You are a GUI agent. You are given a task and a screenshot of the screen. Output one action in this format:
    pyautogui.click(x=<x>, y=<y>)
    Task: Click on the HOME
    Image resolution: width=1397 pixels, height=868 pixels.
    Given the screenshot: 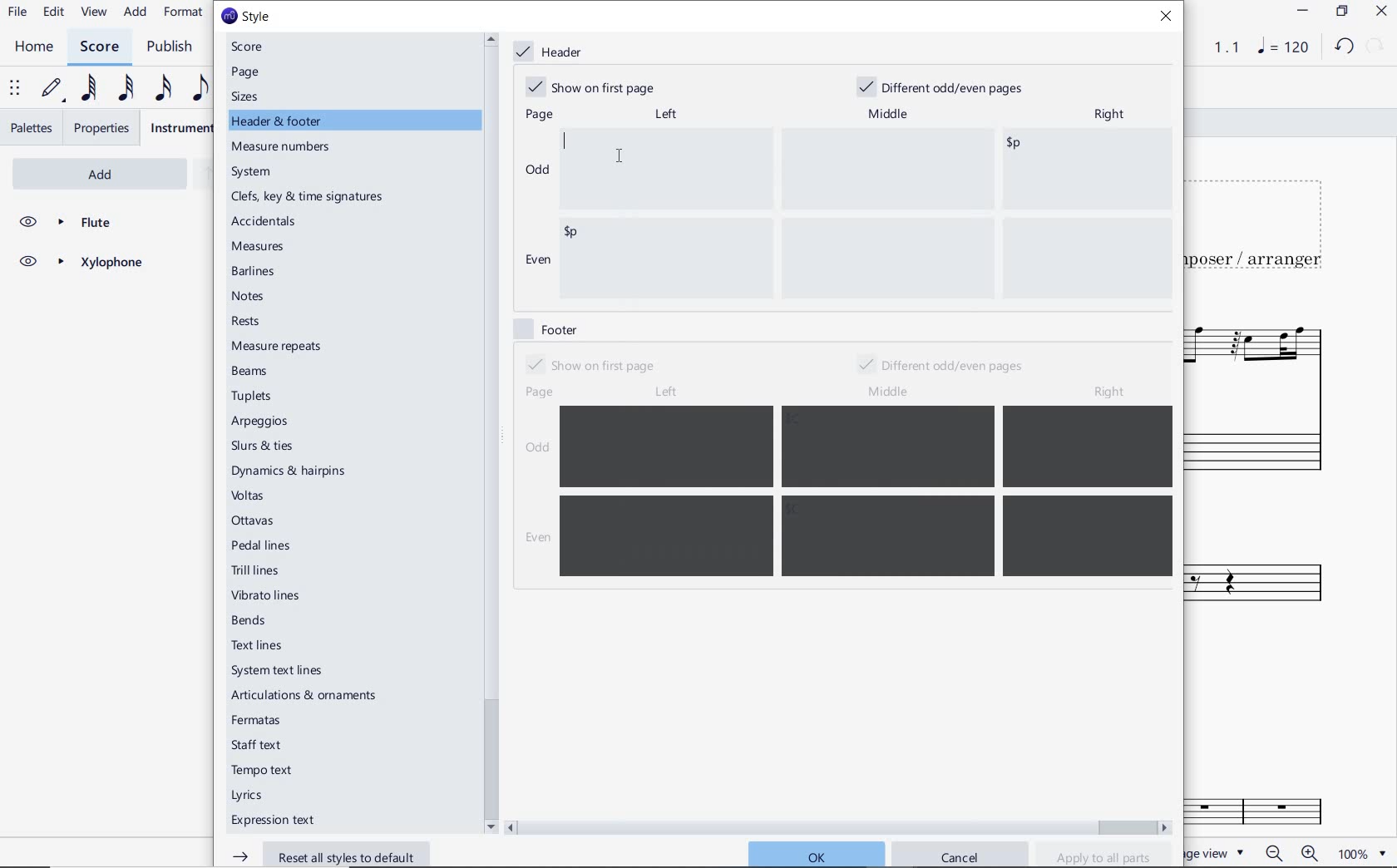 What is the action you would take?
    pyautogui.click(x=34, y=47)
    